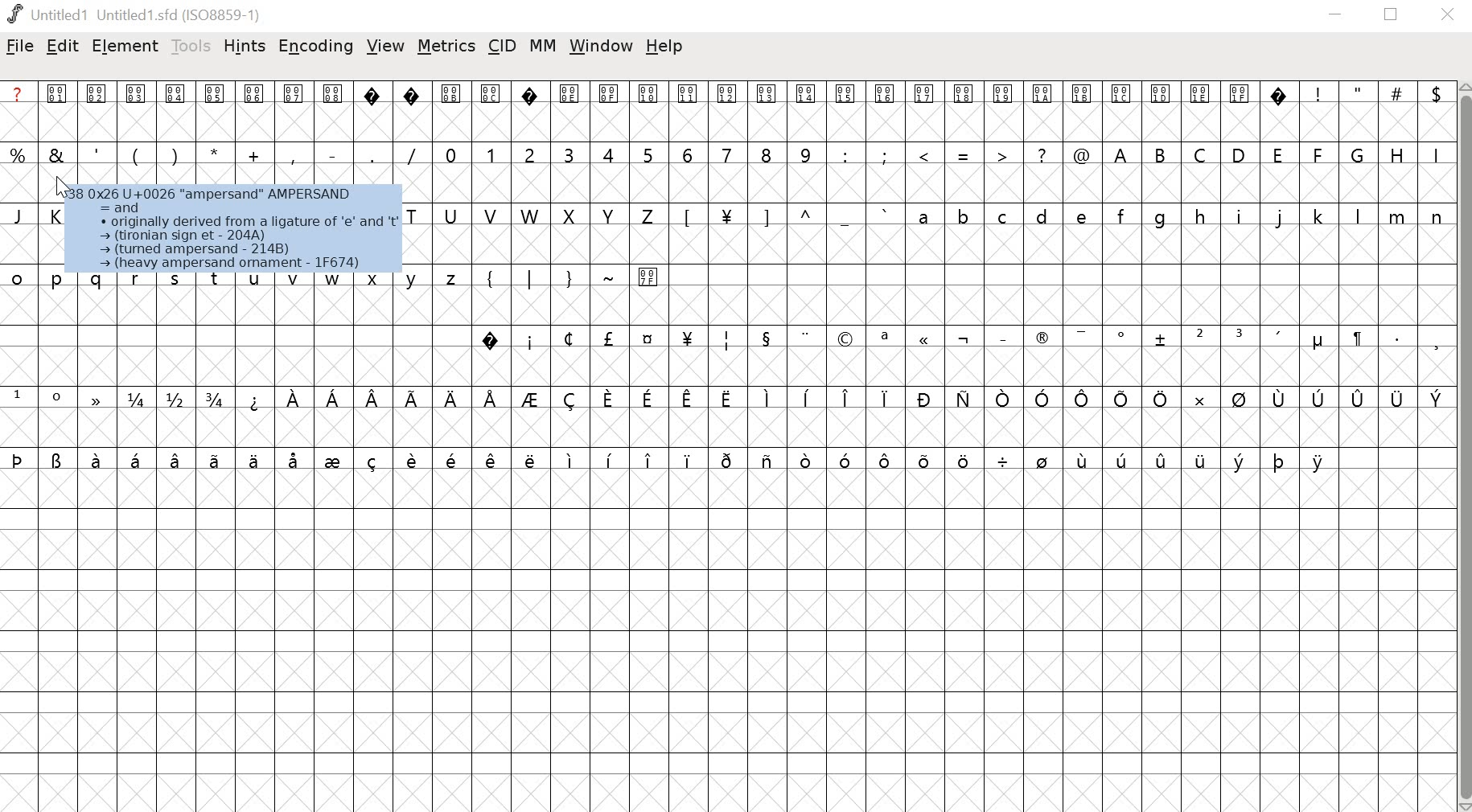 This screenshot has height=812, width=1472. I want to click on symbol, so click(451, 399).